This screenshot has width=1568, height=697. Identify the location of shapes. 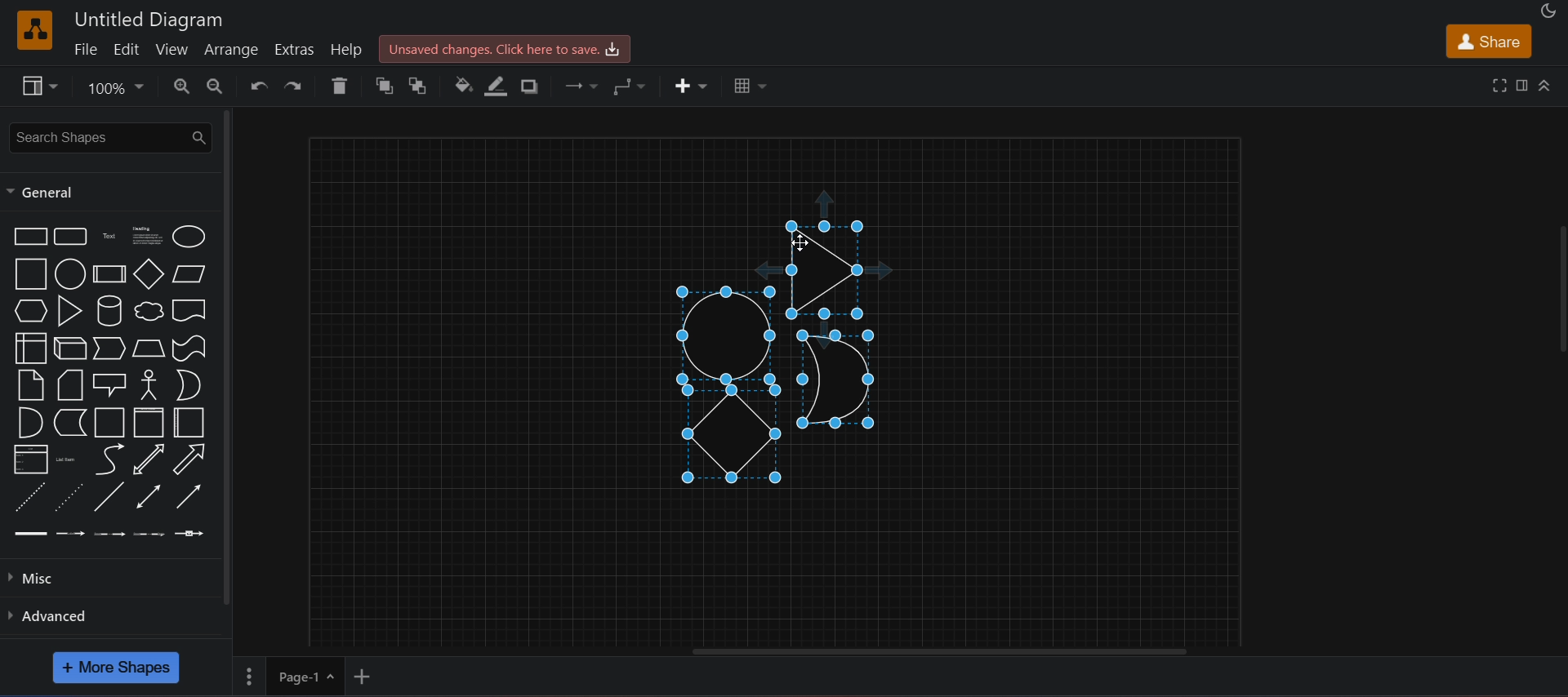
(784, 356).